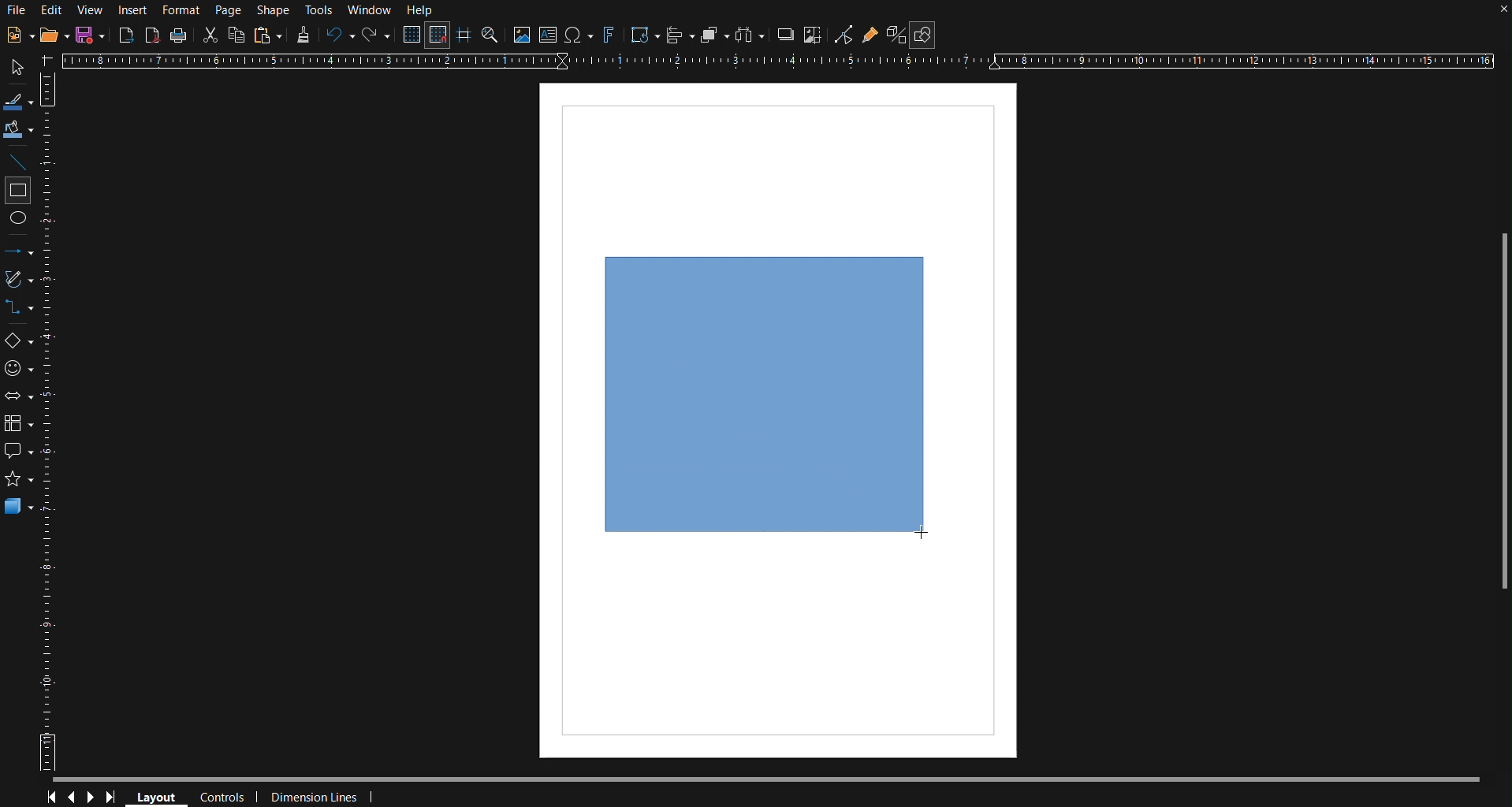 Image resolution: width=1512 pixels, height=807 pixels. What do you see at coordinates (870, 35) in the screenshot?
I see `Show Gluepoints` at bounding box center [870, 35].